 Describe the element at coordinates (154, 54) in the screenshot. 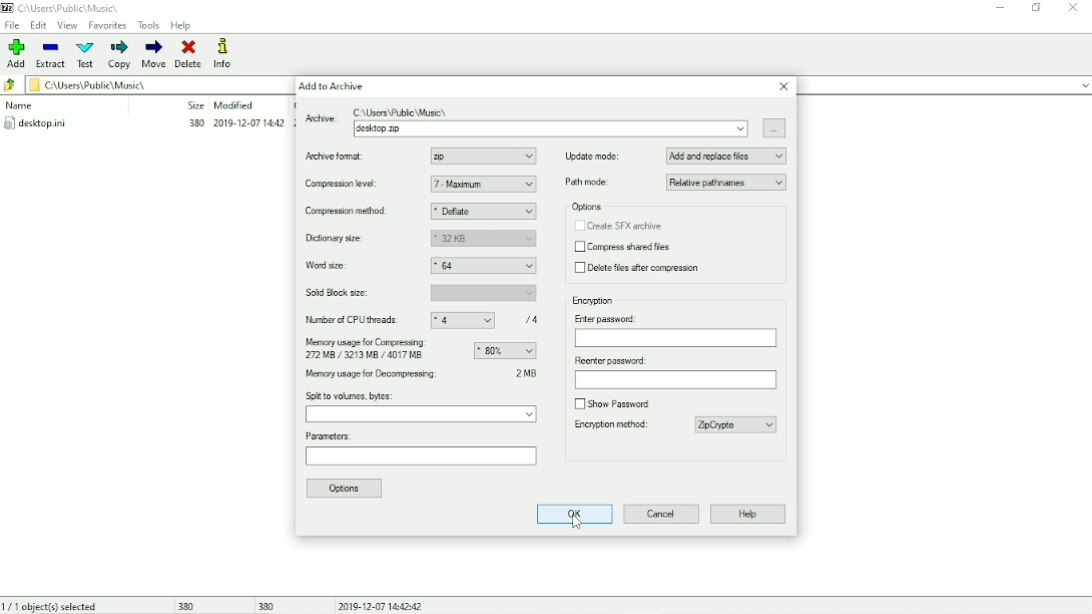

I see `Move` at that location.